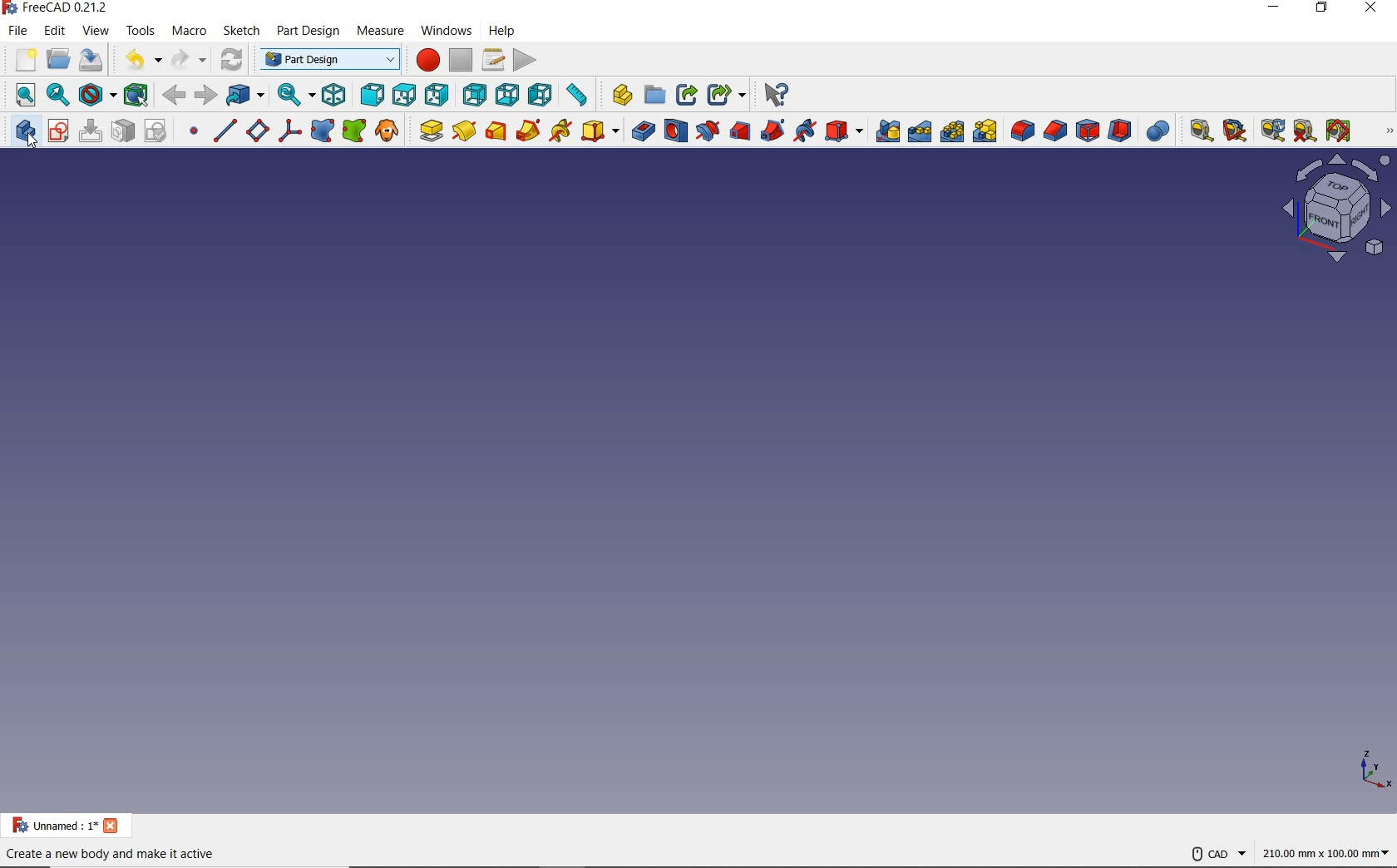  What do you see at coordinates (676, 130) in the screenshot?
I see `HOLE` at bounding box center [676, 130].